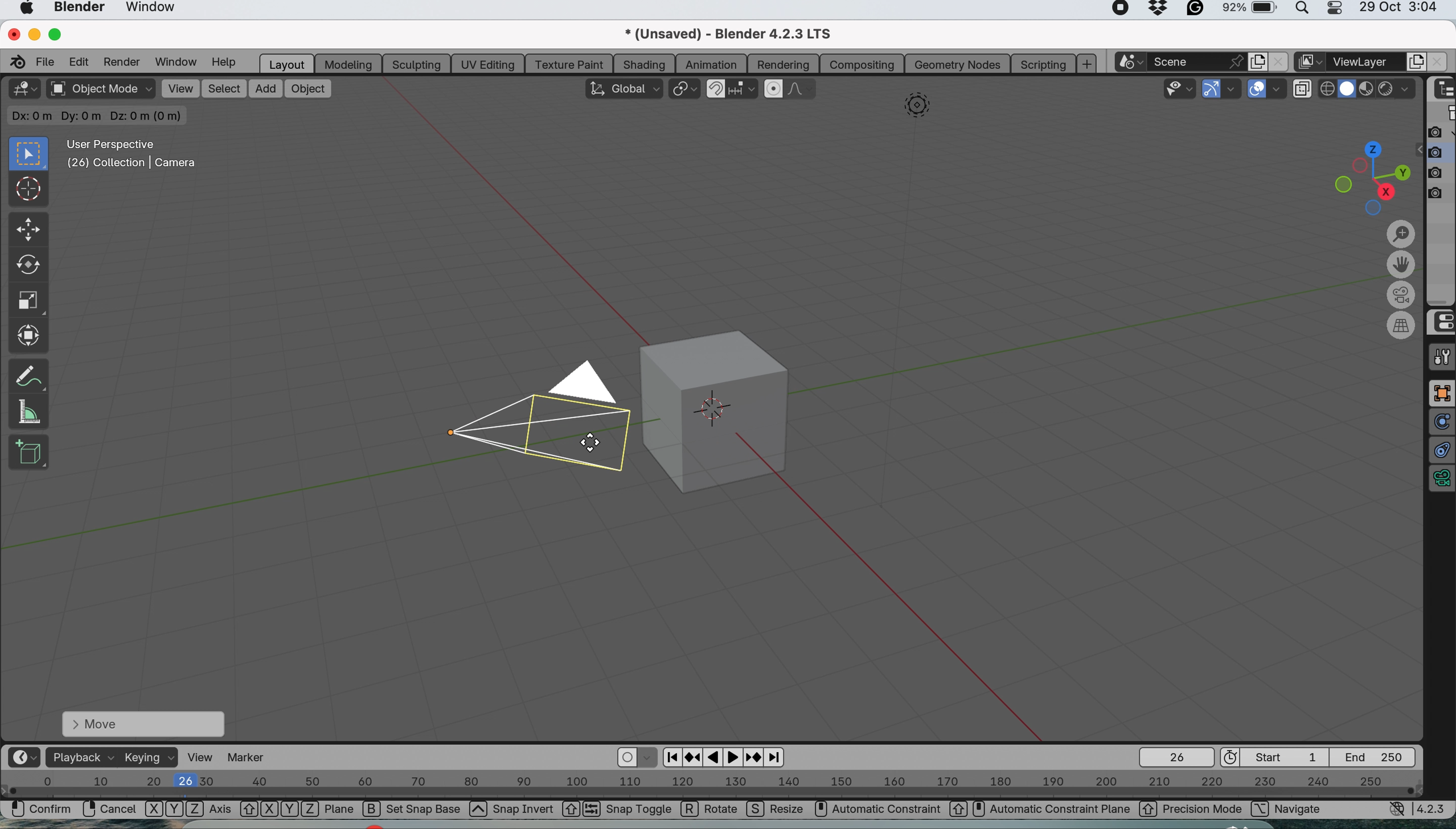  What do you see at coordinates (1134, 62) in the screenshot?
I see `browse scene` at bounding box center [1134, 62].